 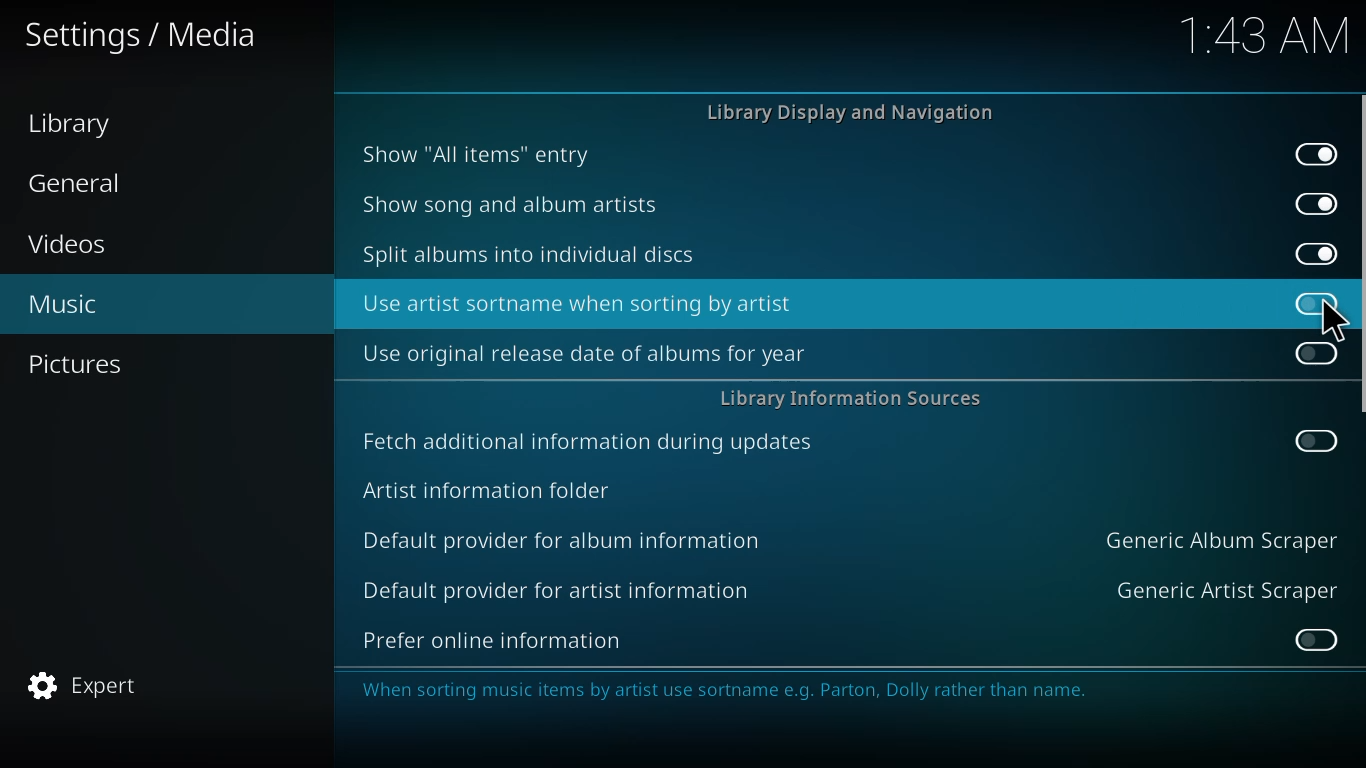 What do you see at coordinates (1314, 439) in the screenshot?
I see `enable` at bounding box center [1314, 439].